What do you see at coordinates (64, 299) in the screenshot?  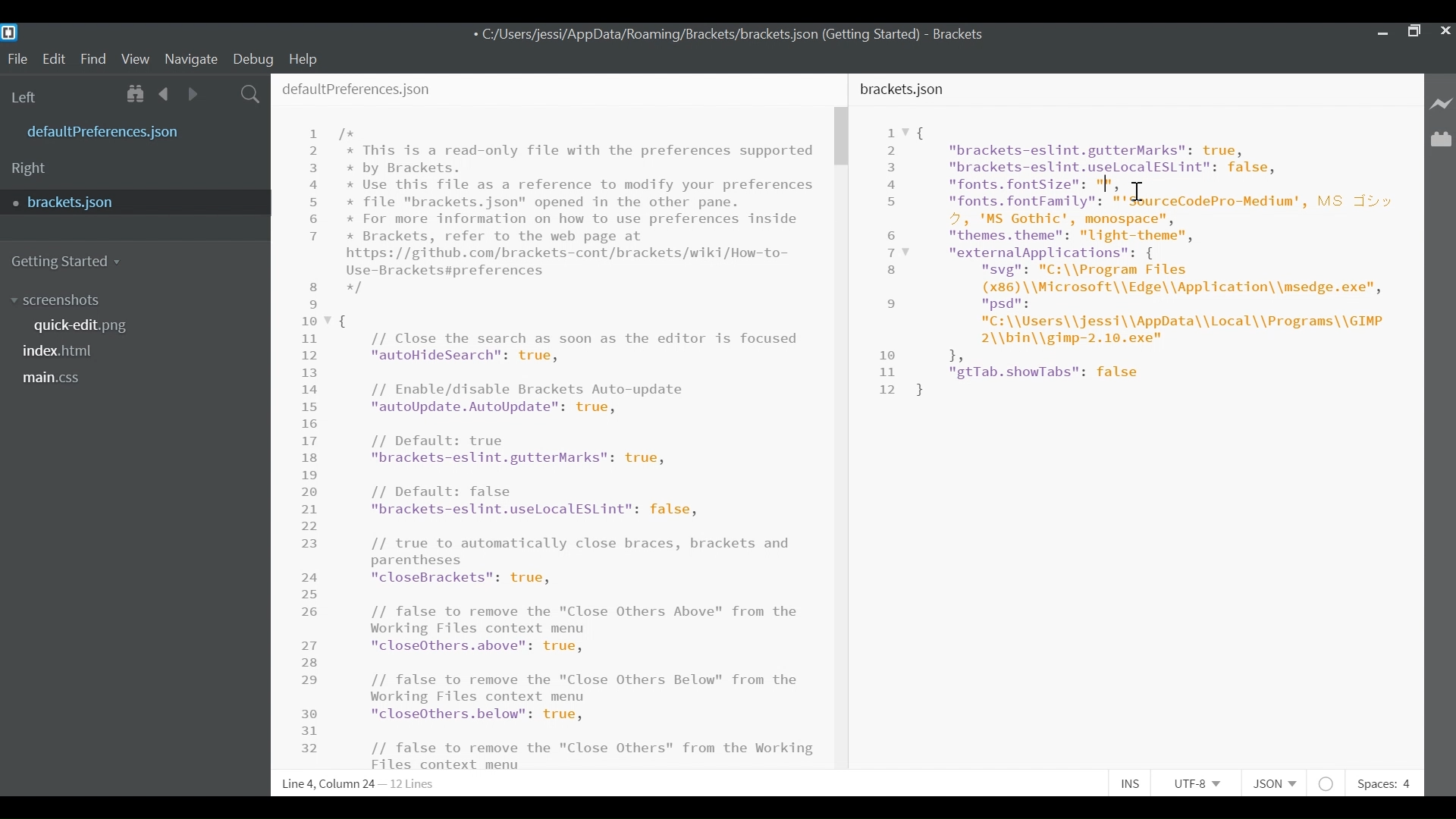 I see `screenshot` at bounding box center [64, 299].